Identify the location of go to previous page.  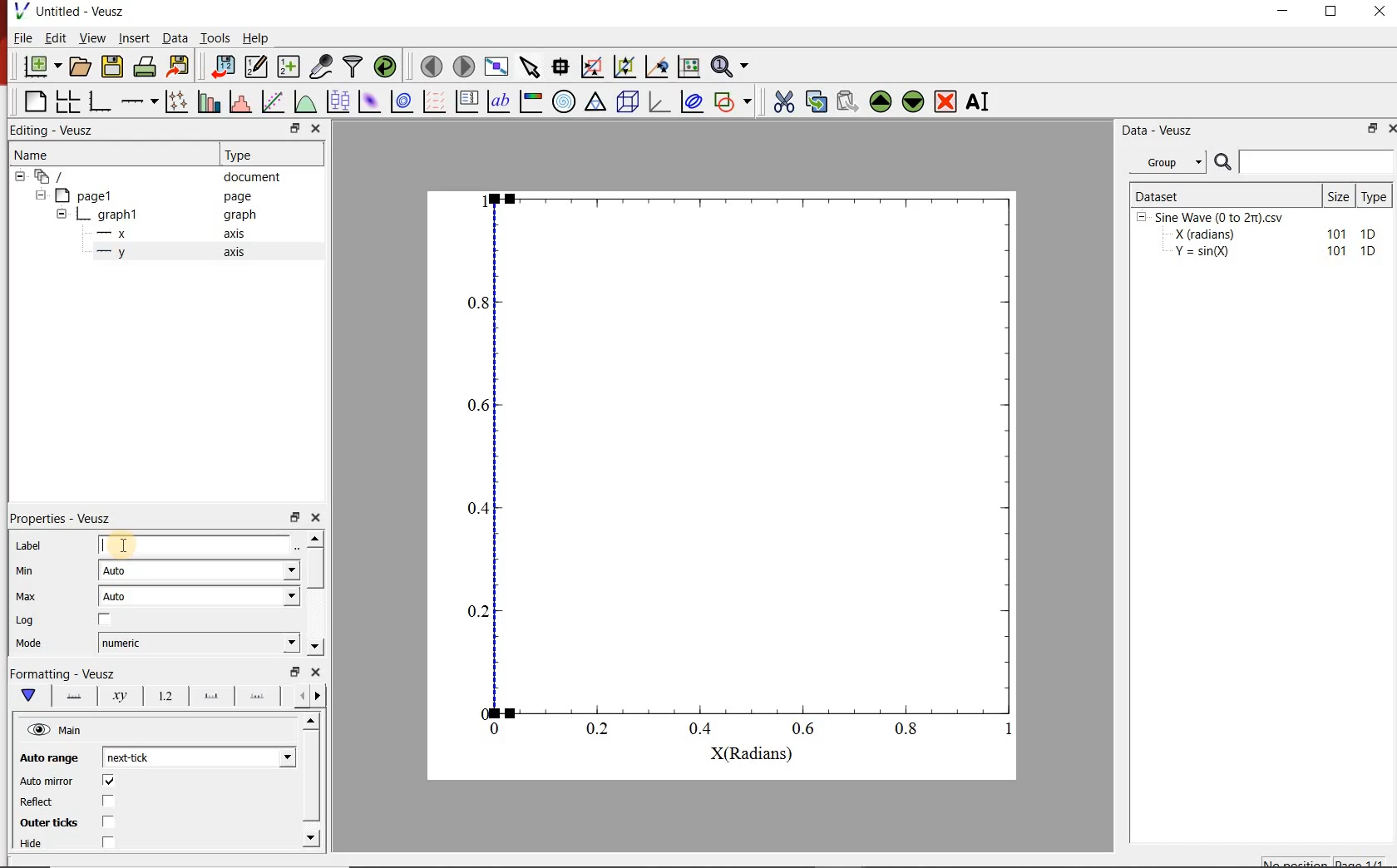
(431, 66).